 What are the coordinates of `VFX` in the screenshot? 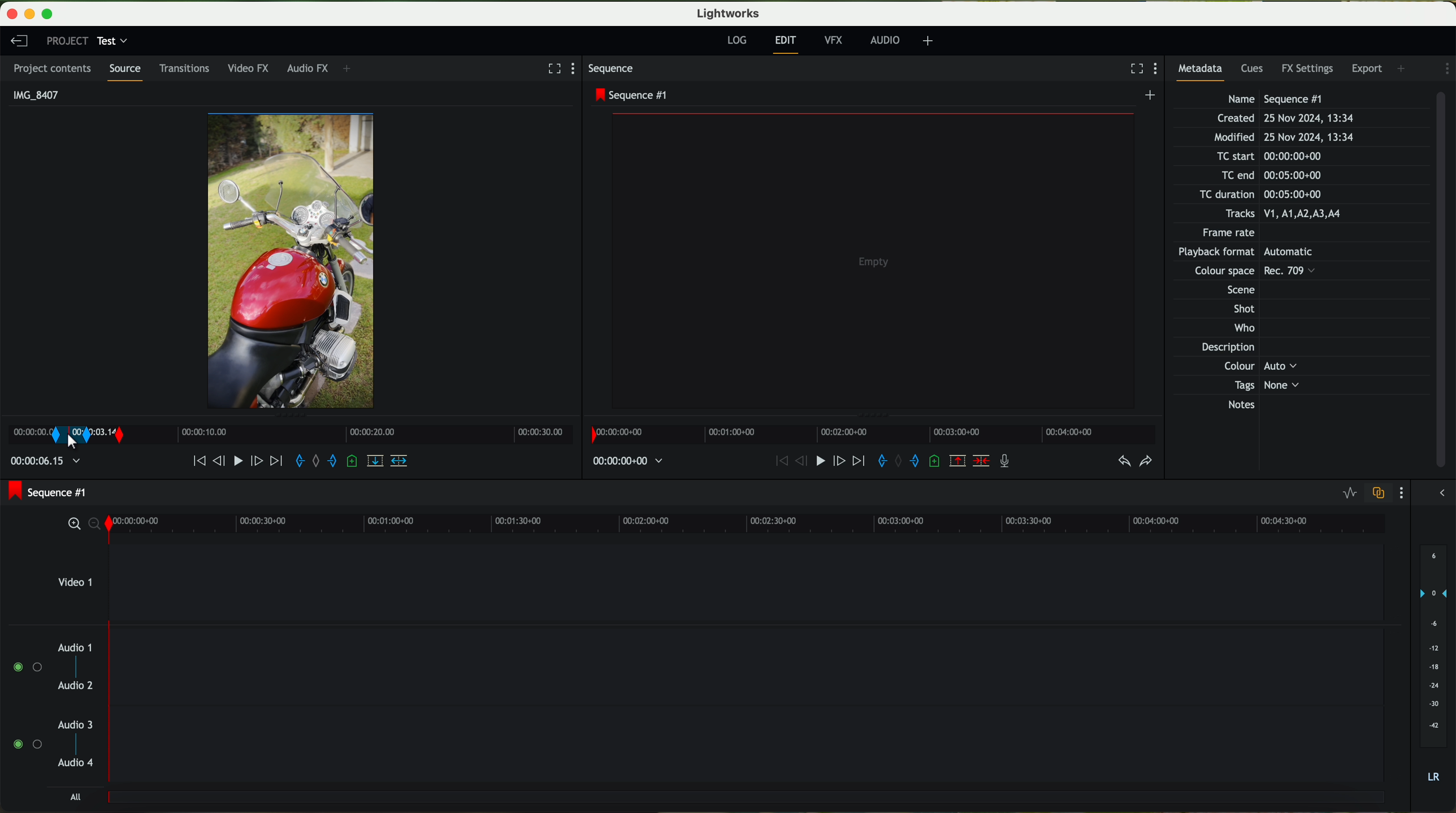 It's located at (836, 42).